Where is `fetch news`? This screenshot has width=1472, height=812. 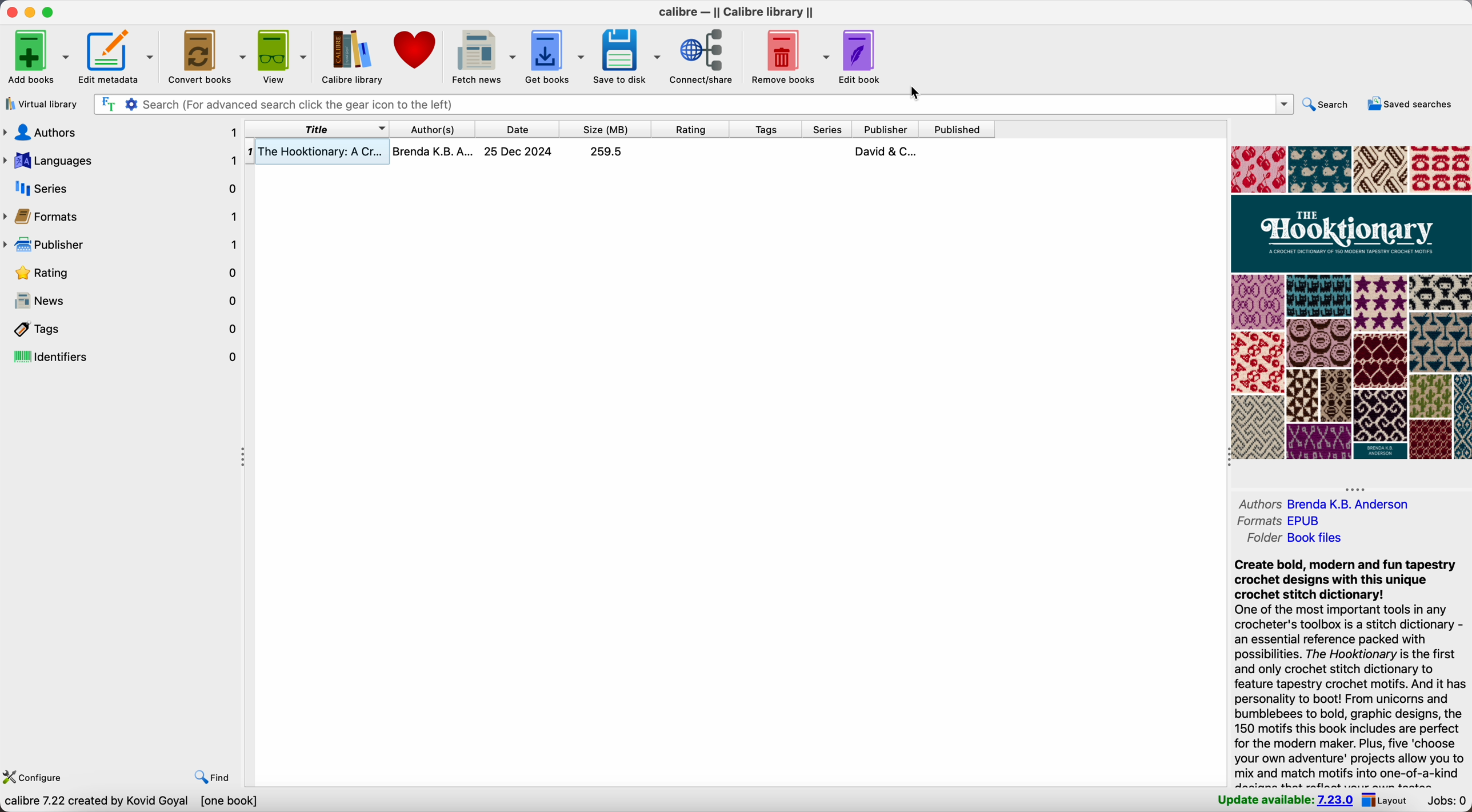
fetch news is located at coordinates (484, 55).